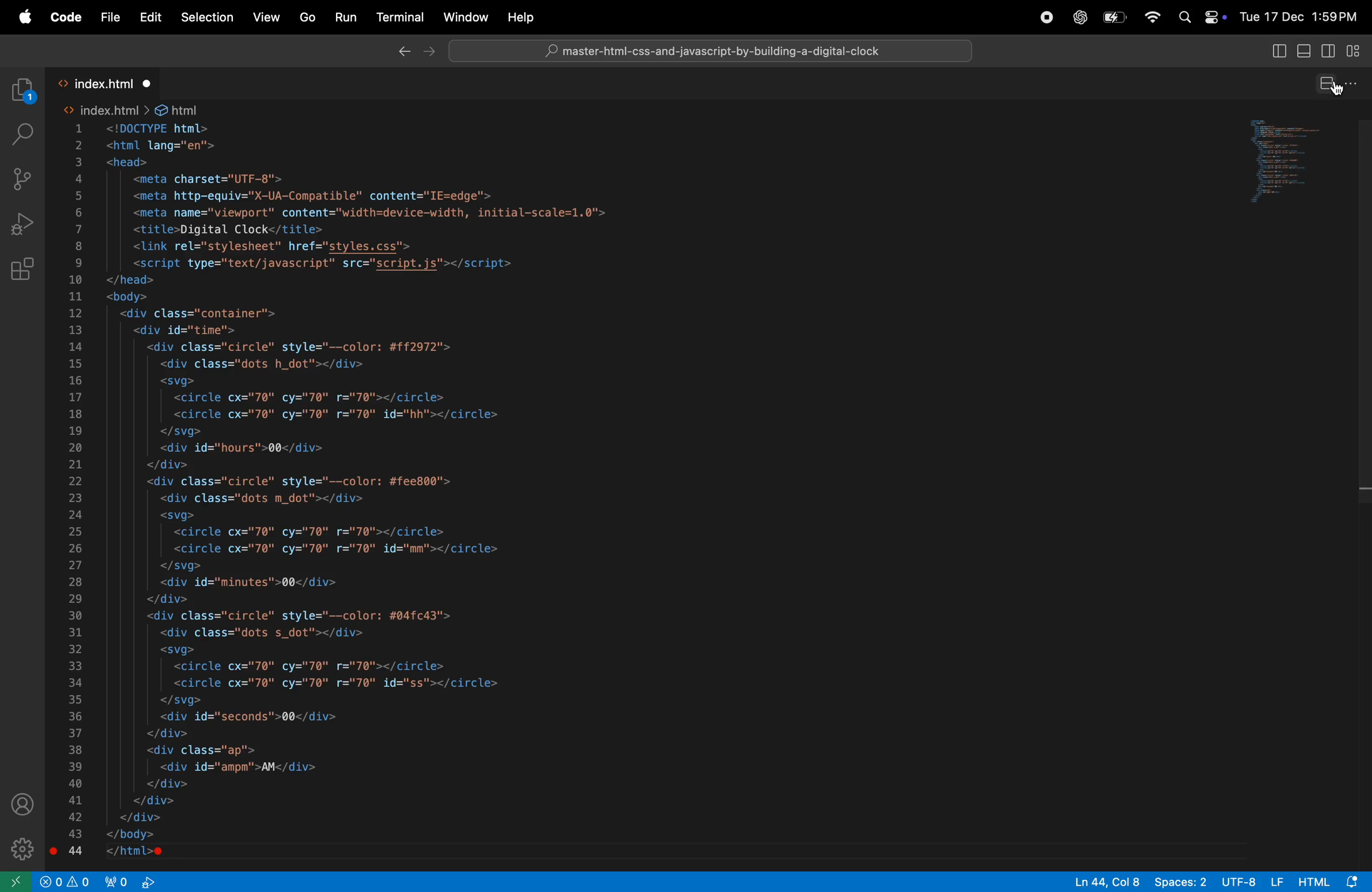  What do you see at coordinates (1326, 85) in the screenshot?
I see `split editor to right` at bounding box center [1326, 85].